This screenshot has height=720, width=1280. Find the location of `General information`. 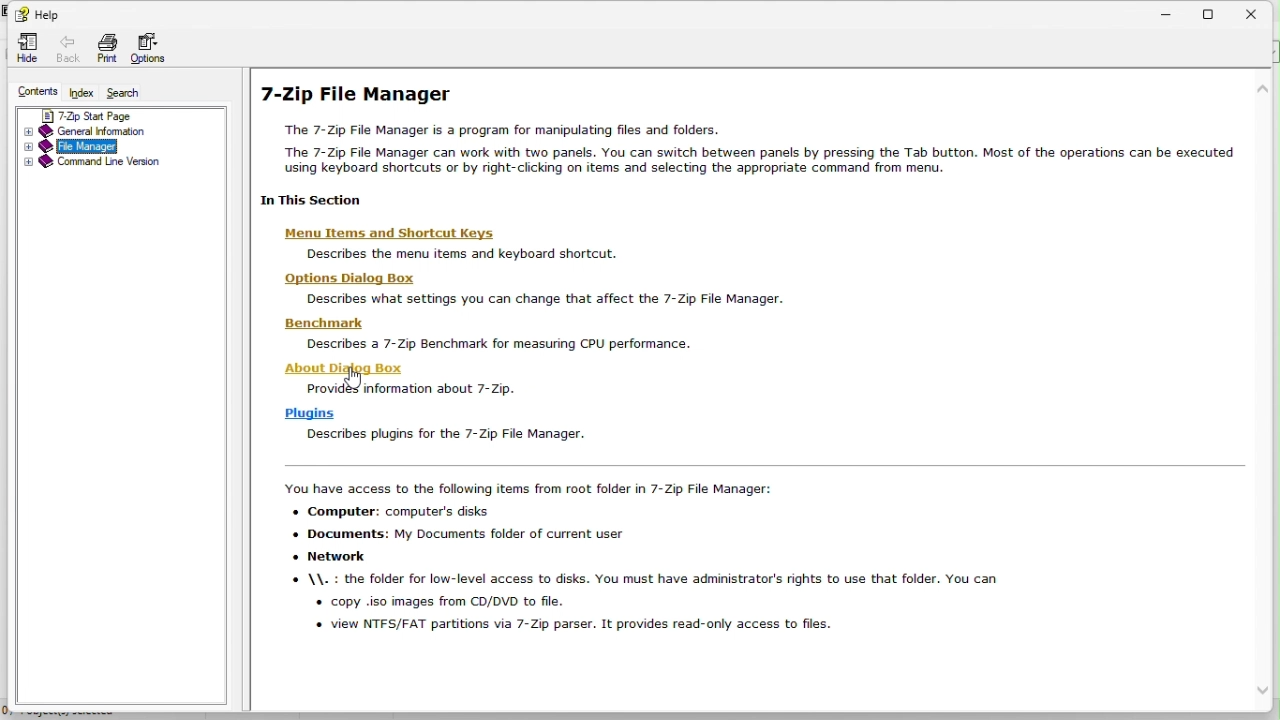

General information is located at coordinates (80, 130).